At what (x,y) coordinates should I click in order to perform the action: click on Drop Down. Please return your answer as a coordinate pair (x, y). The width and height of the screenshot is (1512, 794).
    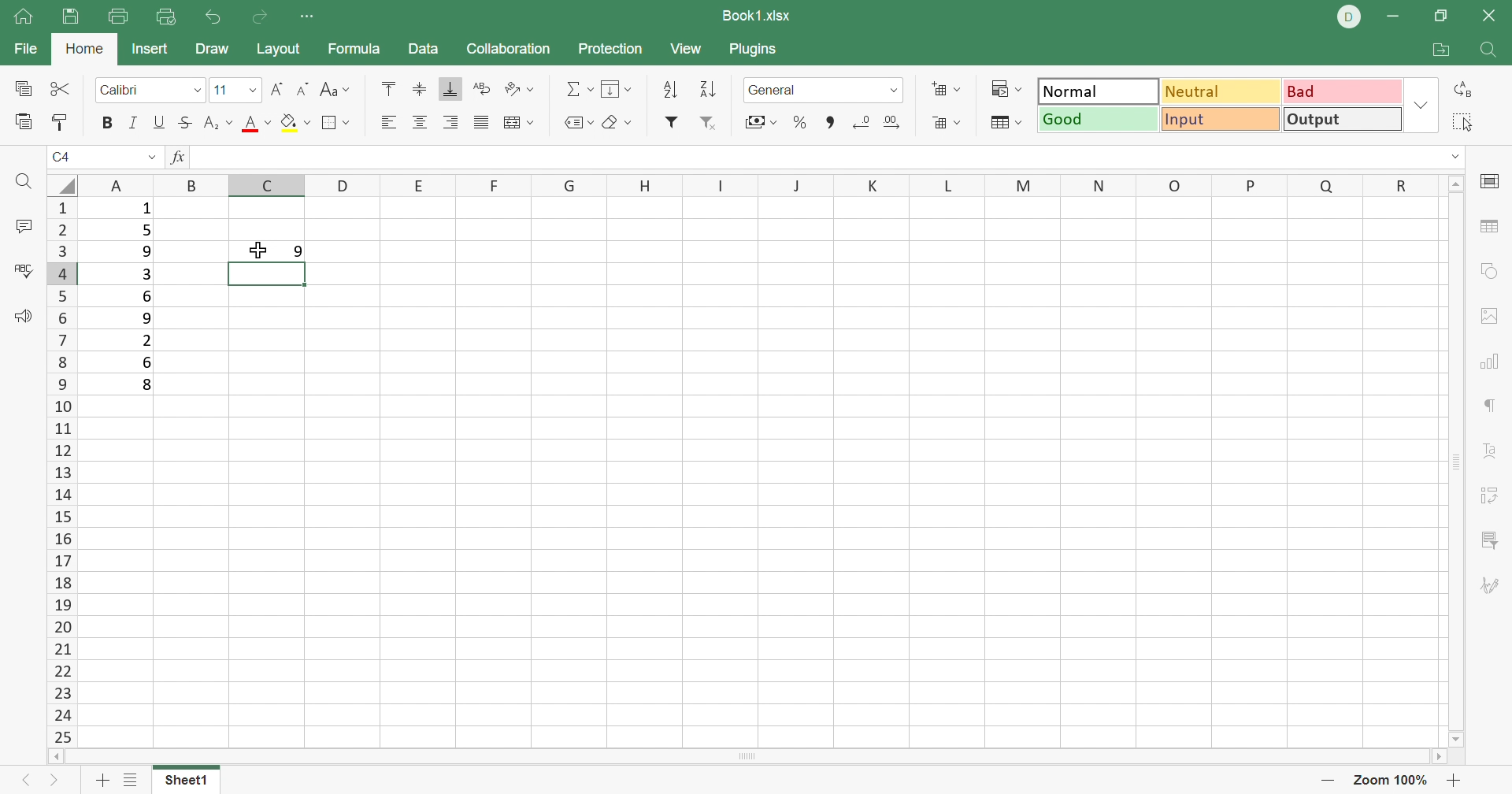
    Looking at the image, I should click on (198, 90).